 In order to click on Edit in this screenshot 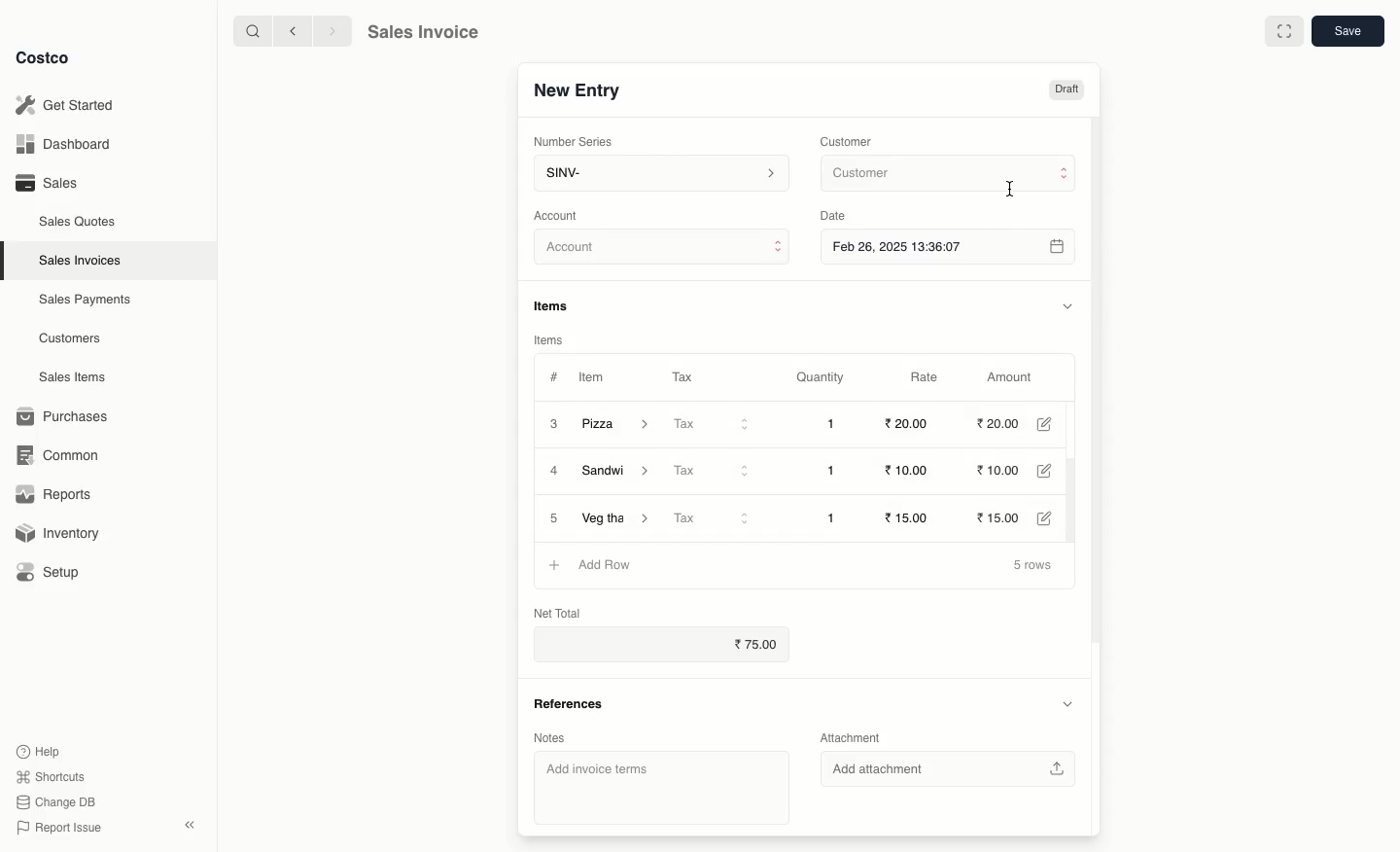, I will do `click(1053, 517)`.